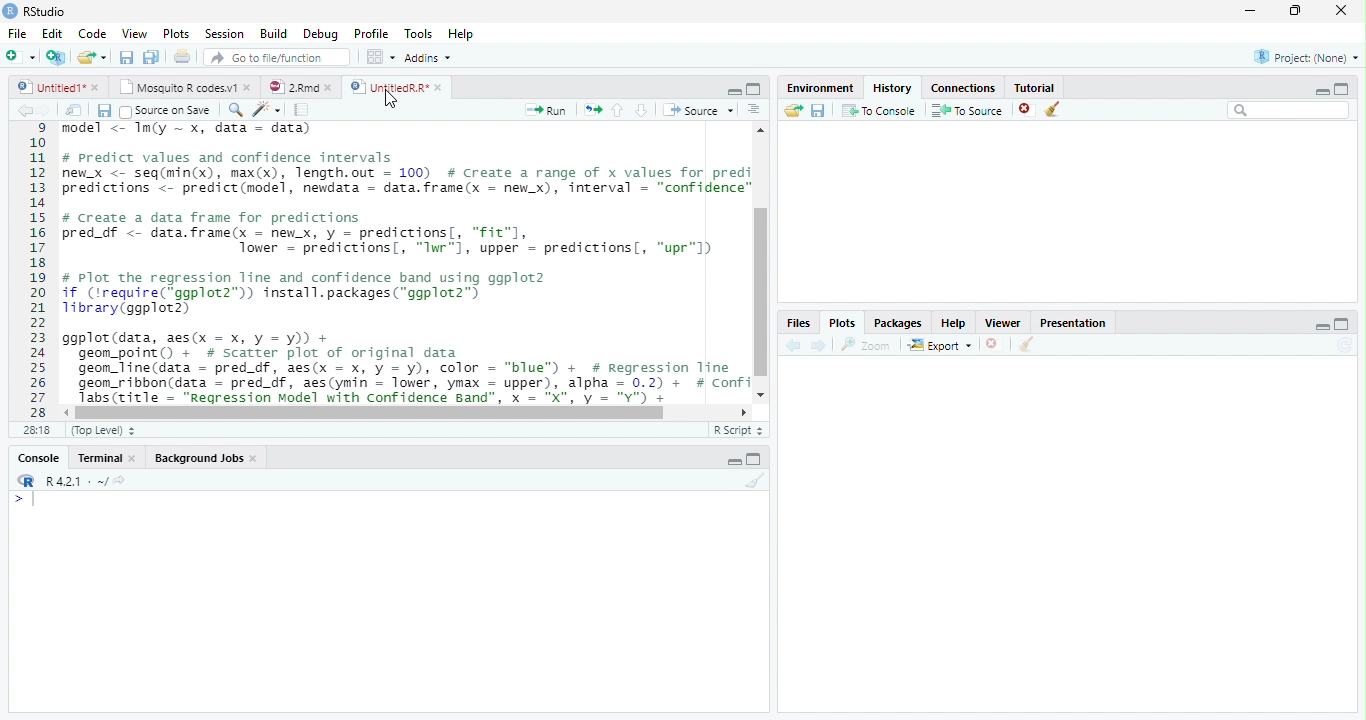 The width and height of the screenshot is (1366, 720). Describe the element at coordinates (939, 346) in the screenshot. I see `Export` at that location.